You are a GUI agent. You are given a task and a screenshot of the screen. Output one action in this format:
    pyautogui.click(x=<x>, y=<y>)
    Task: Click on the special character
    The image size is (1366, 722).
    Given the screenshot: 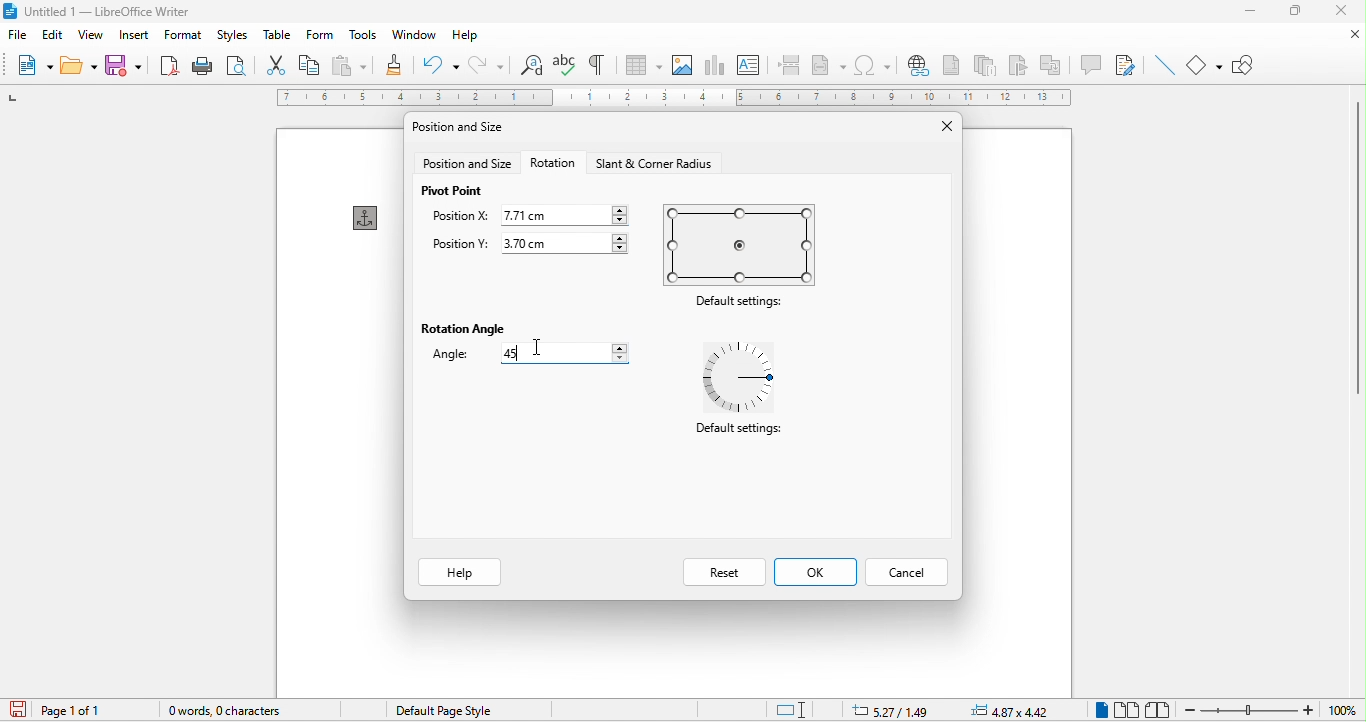 What is the action you would take?
    pyautogui.click(x=875, y=66)
    